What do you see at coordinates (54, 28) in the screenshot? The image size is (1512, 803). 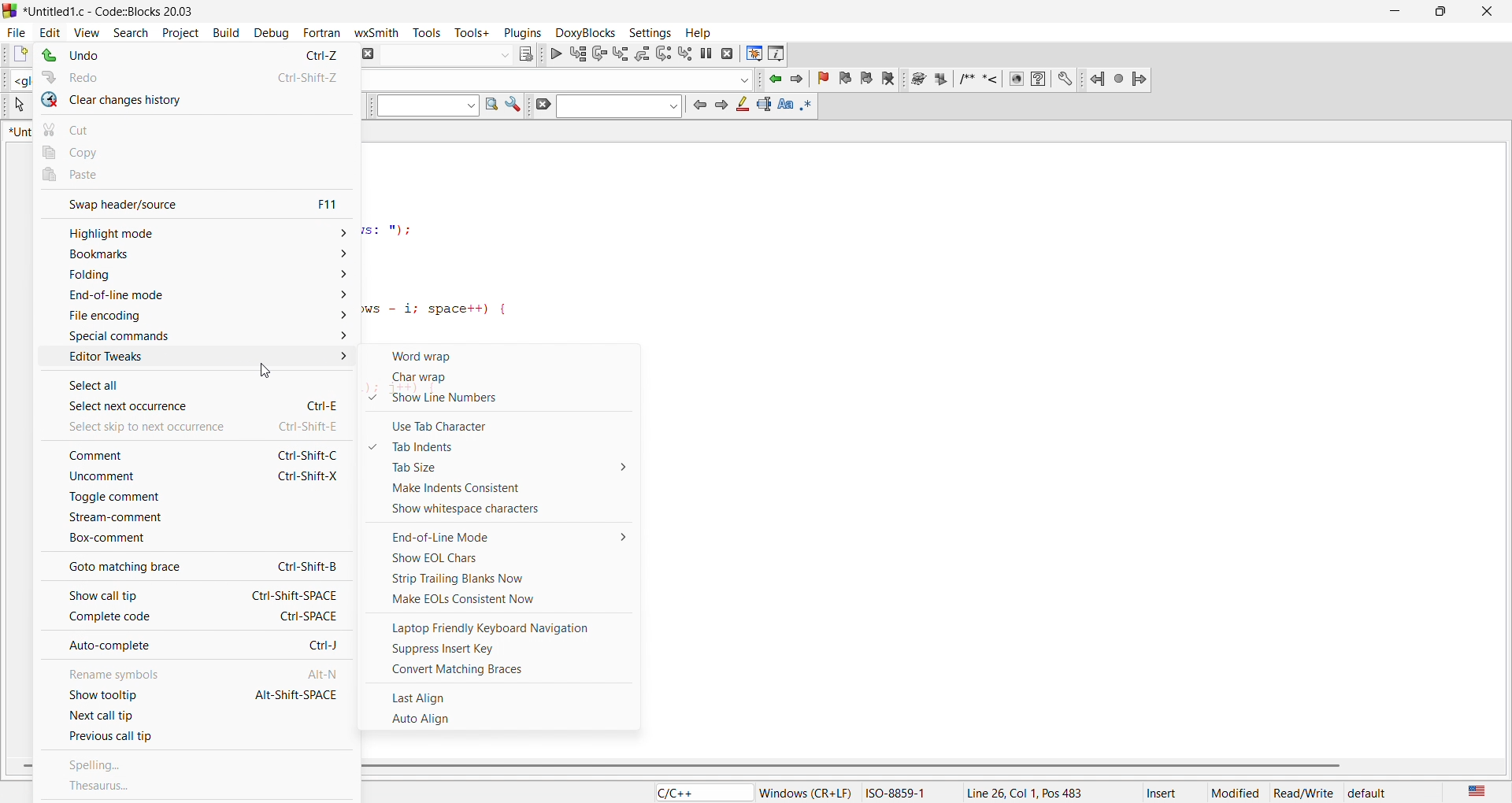 I see `edit ` at bounding box center [54, 28].